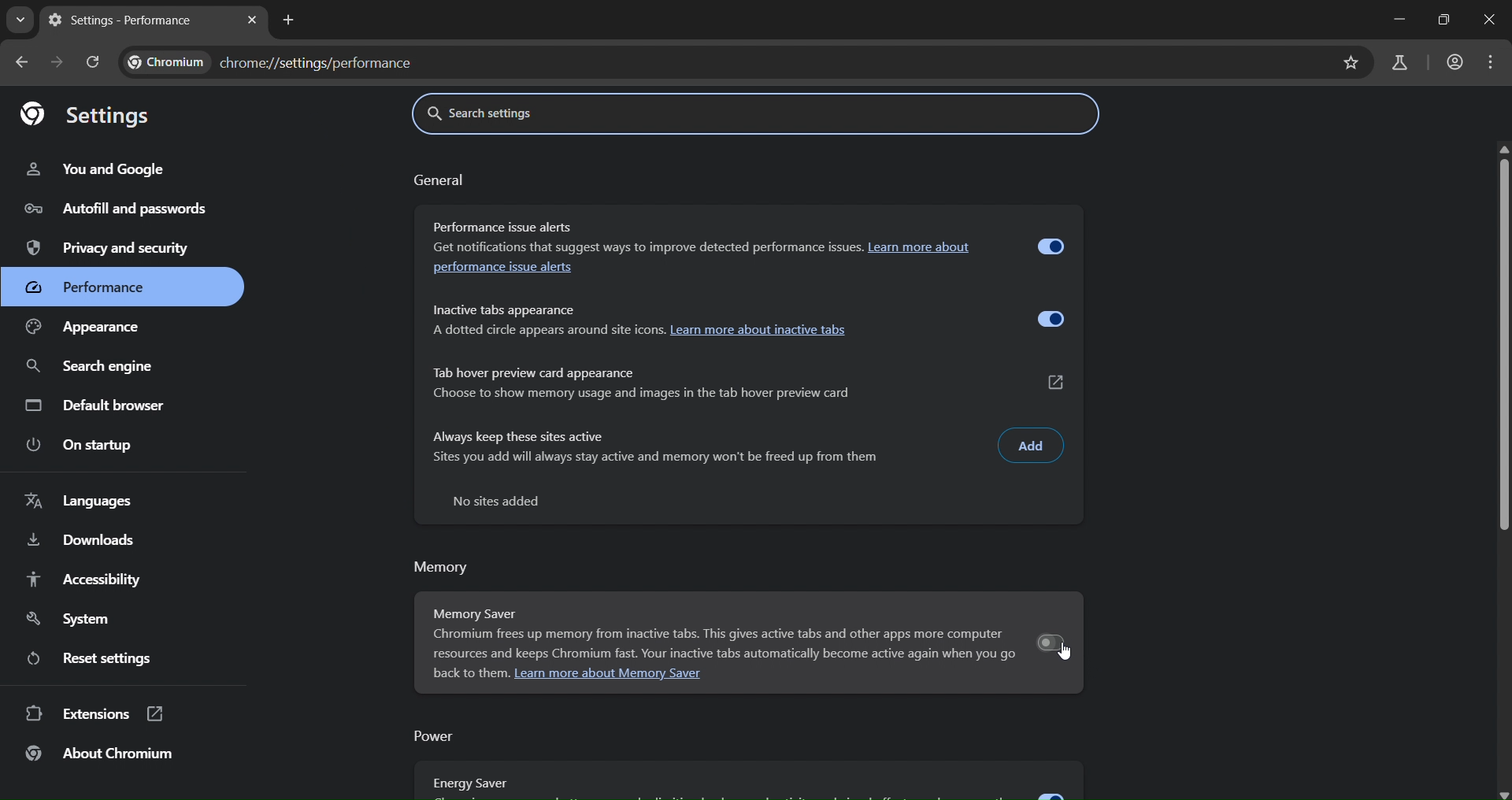  I want to click on minimize, so click(1397, 20).